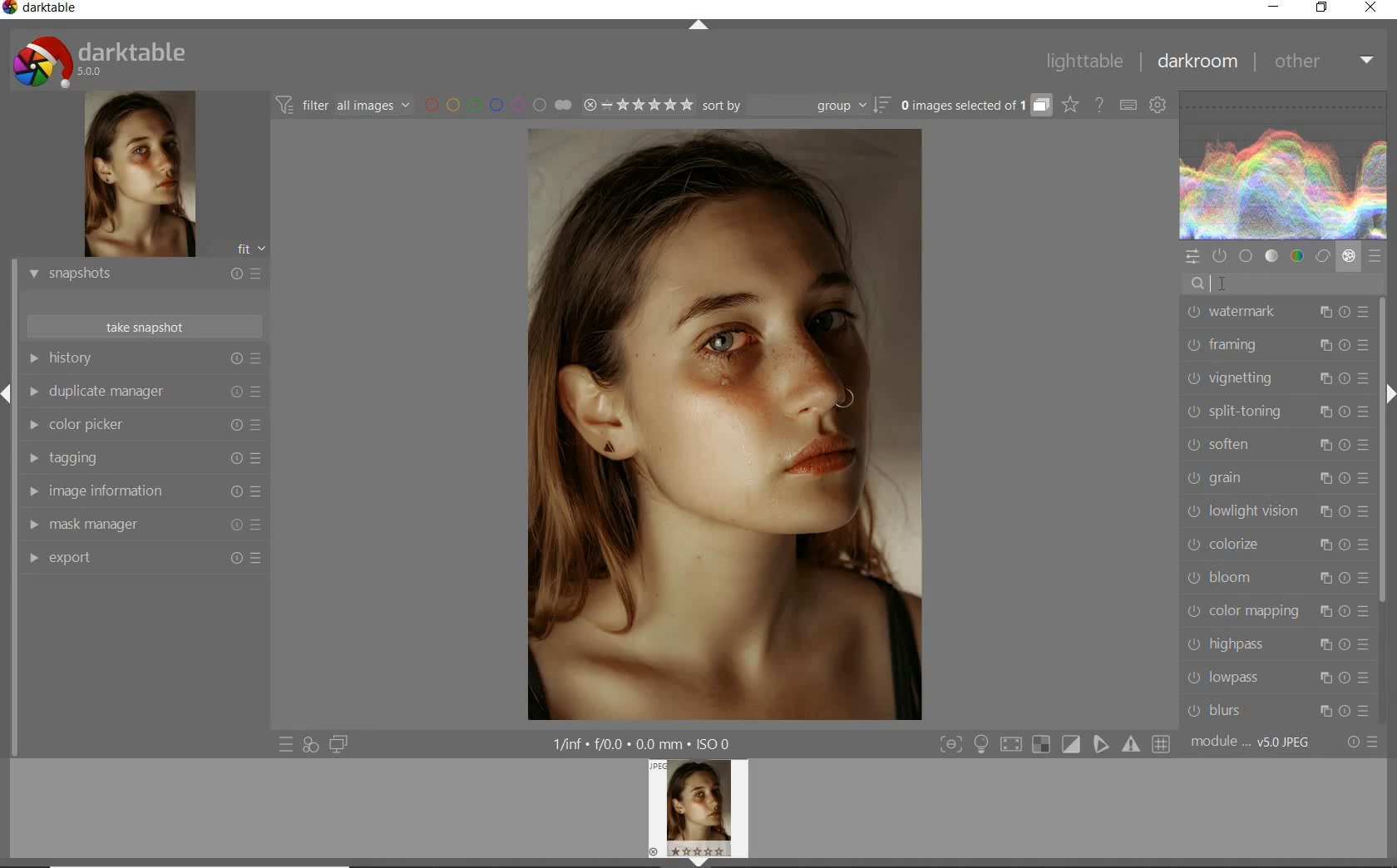 Image resolution: width=1397 pixels, height=868 pixels. What do you see at coordinates (1274, 476) in the screenshot?
I see `grain` at bounding box center [1274, 476].